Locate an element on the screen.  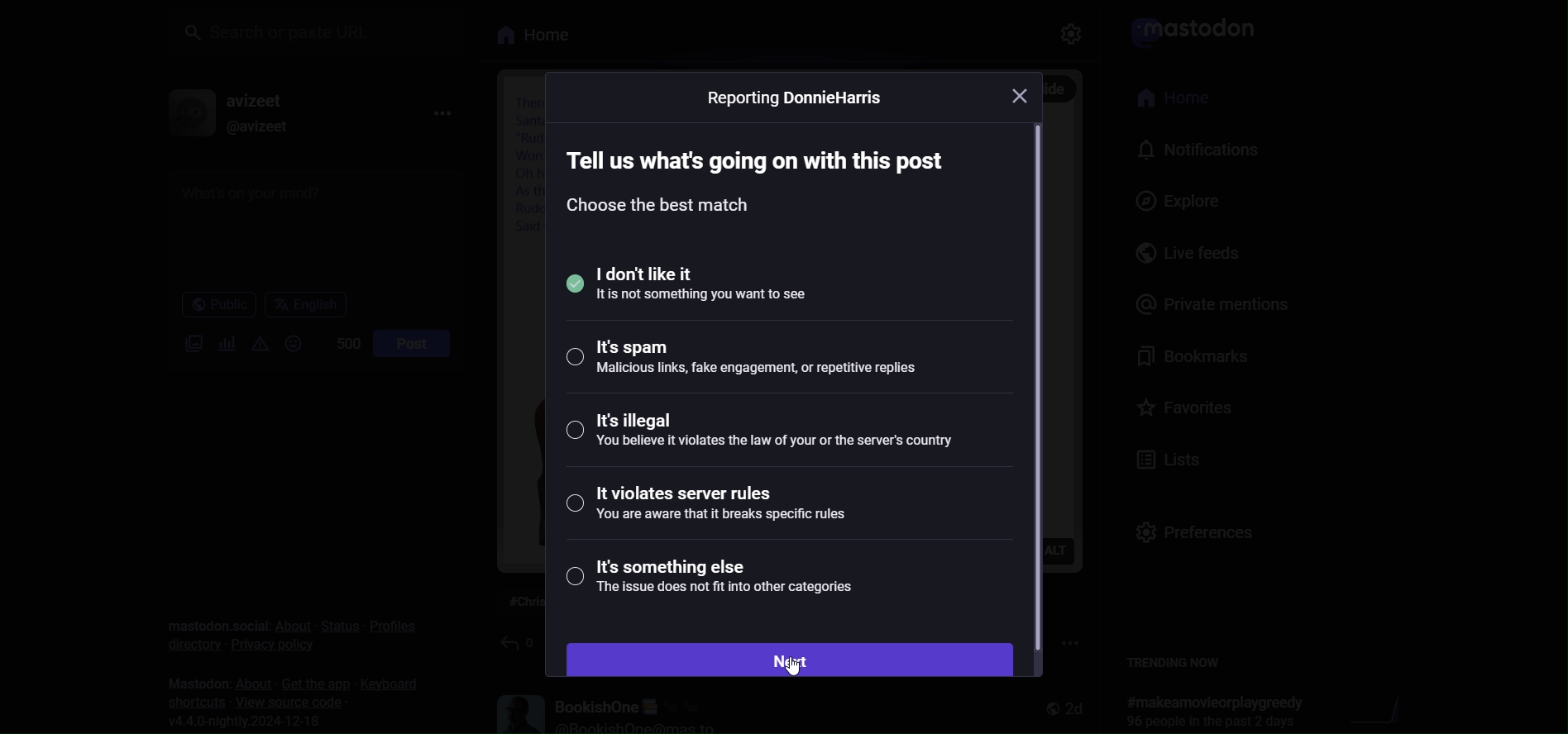
search is located at coordinates (318, 31).